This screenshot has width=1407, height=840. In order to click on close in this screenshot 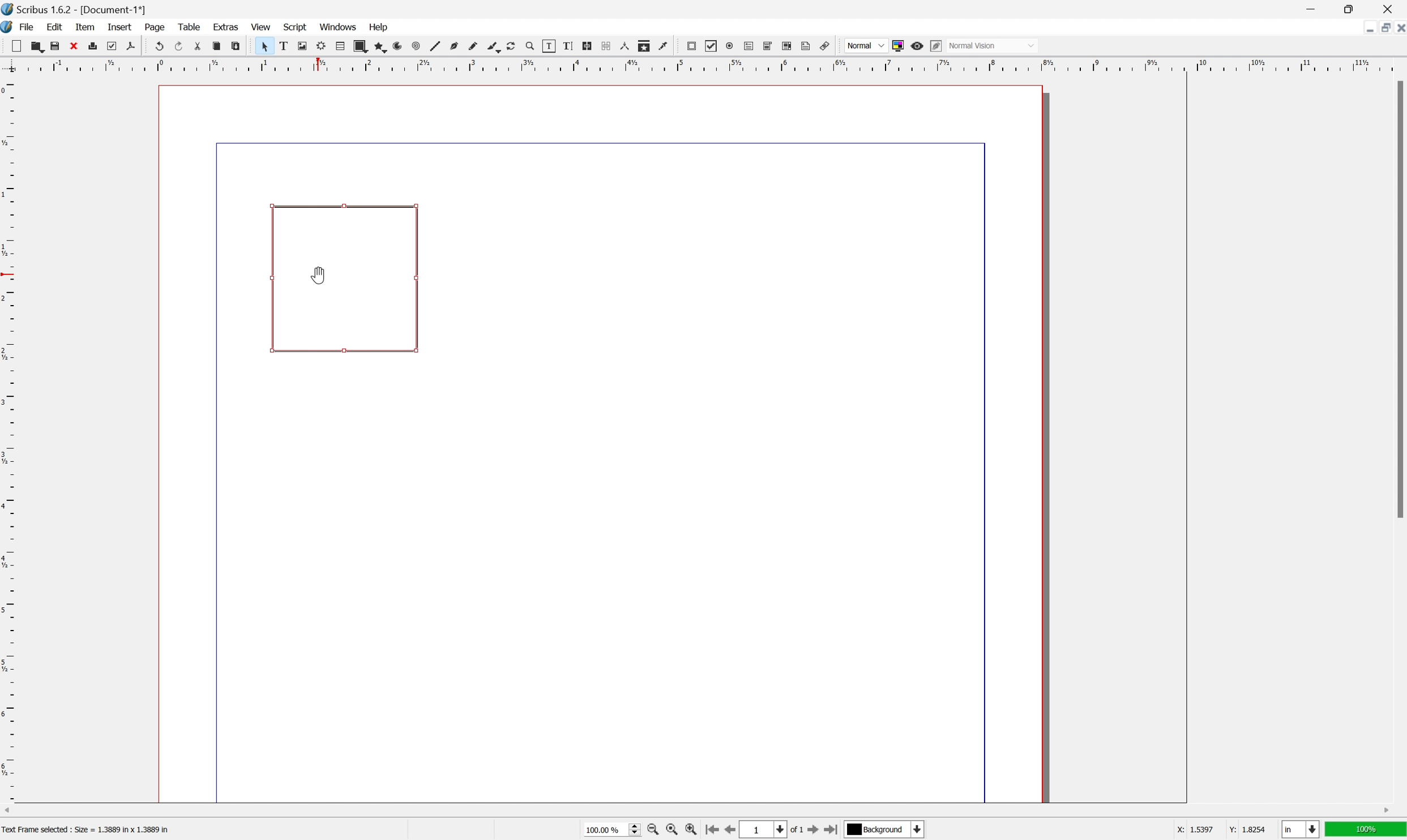, I will do `click(1391, 8)`.